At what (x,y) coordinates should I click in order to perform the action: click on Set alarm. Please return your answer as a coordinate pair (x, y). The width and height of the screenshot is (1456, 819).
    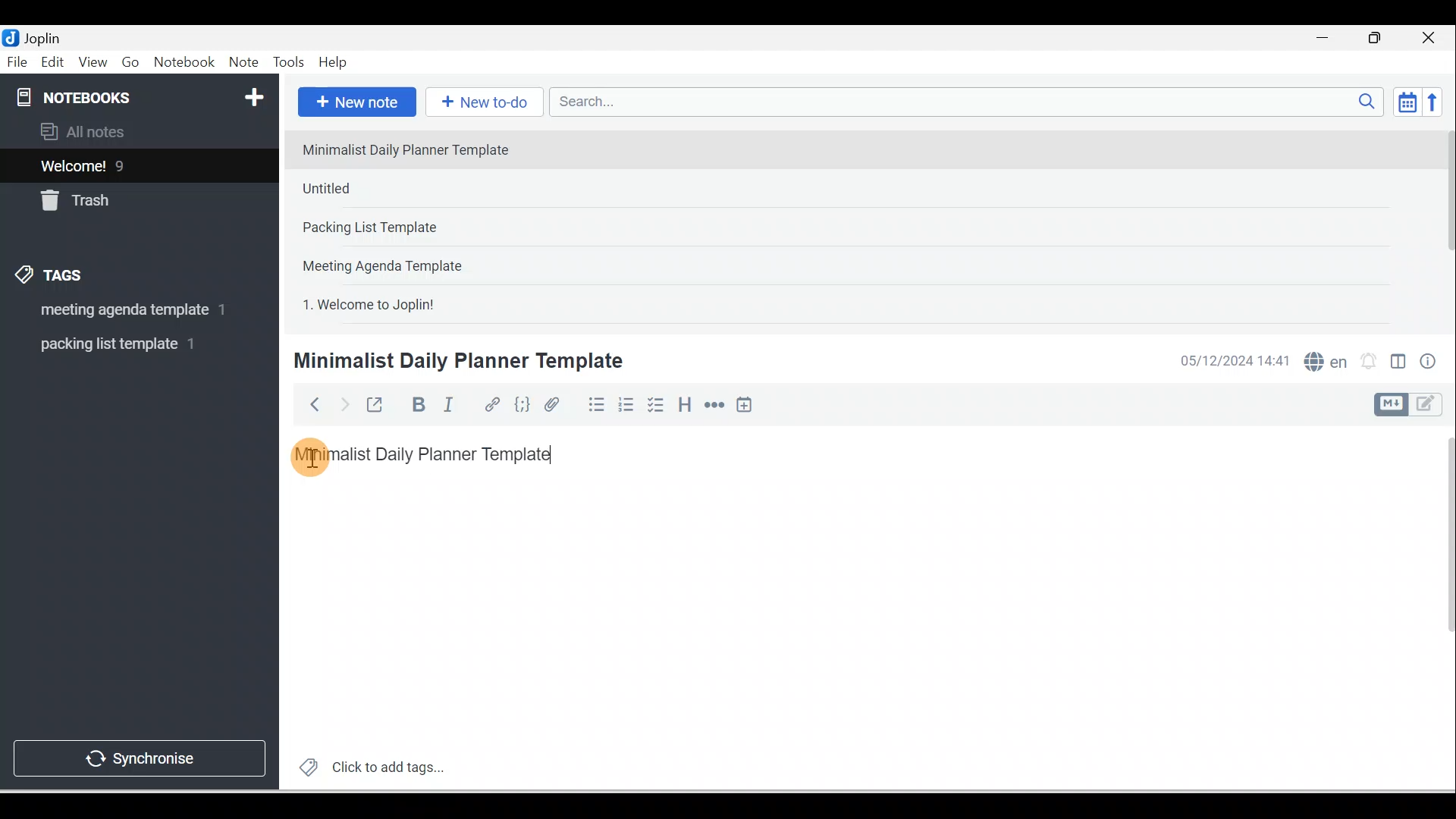
    Looking at the image, I should click on (1367, 362).